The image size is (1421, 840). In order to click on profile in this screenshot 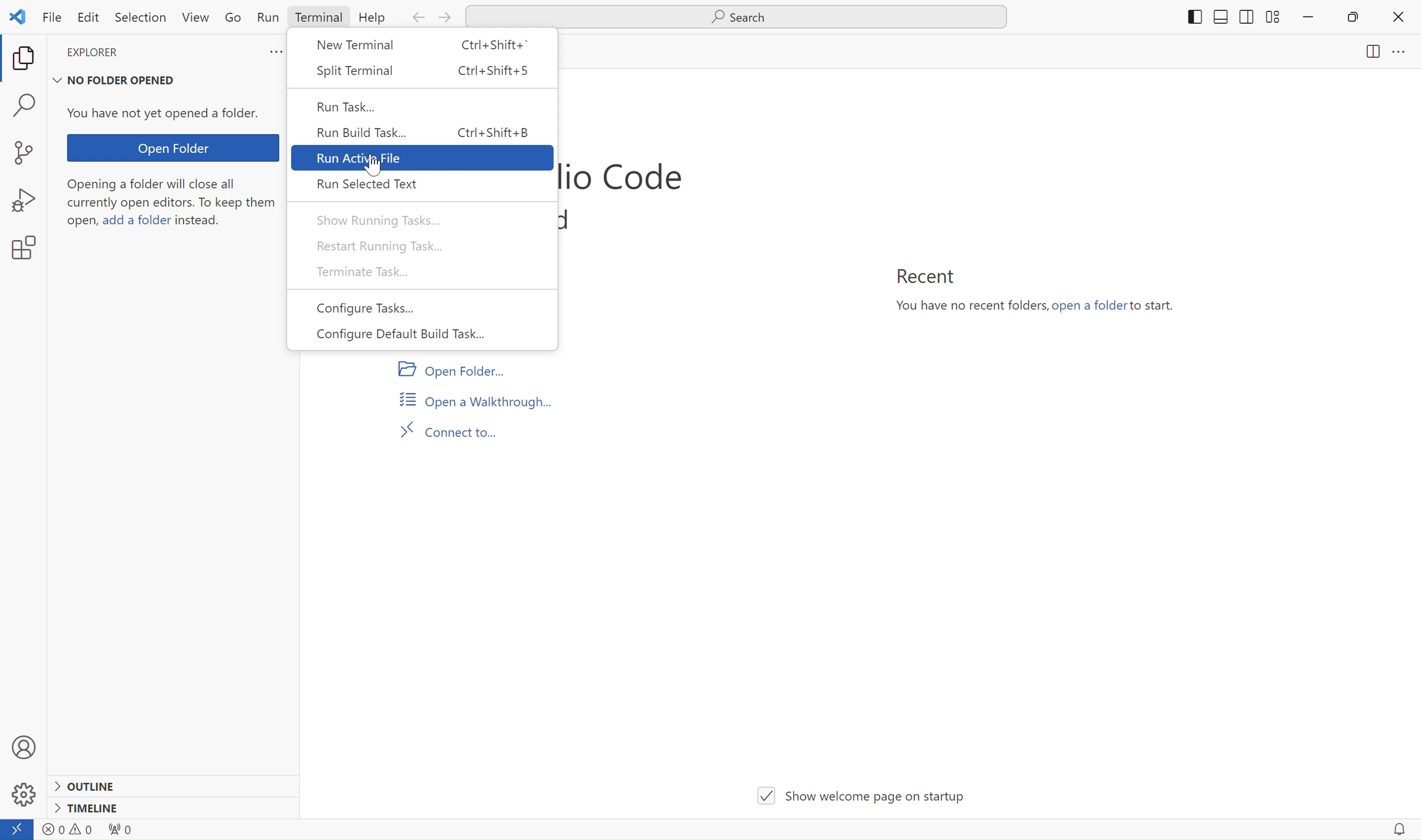, I will do `click(25, 743)`.